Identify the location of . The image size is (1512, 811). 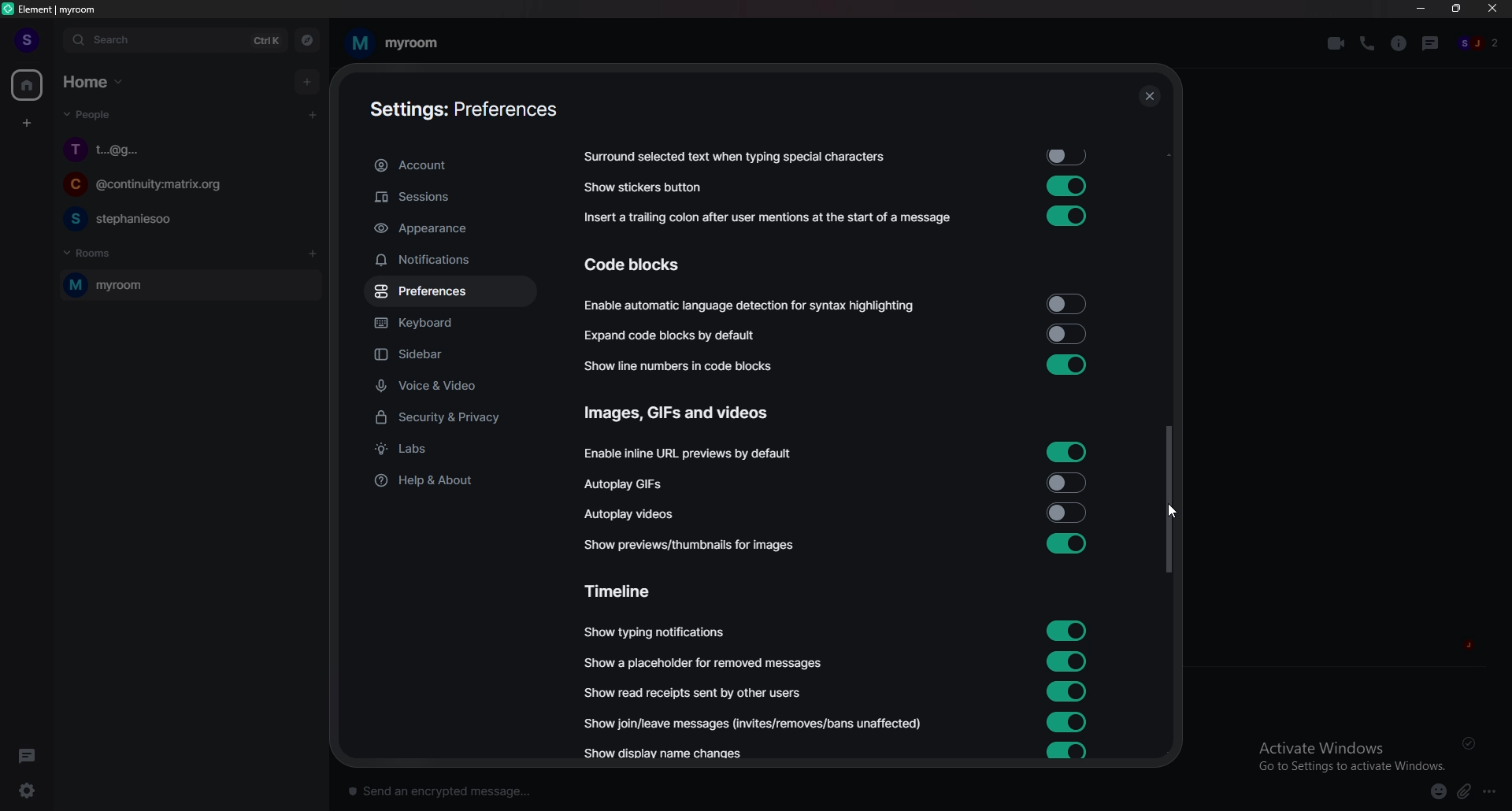
(1180, 514).